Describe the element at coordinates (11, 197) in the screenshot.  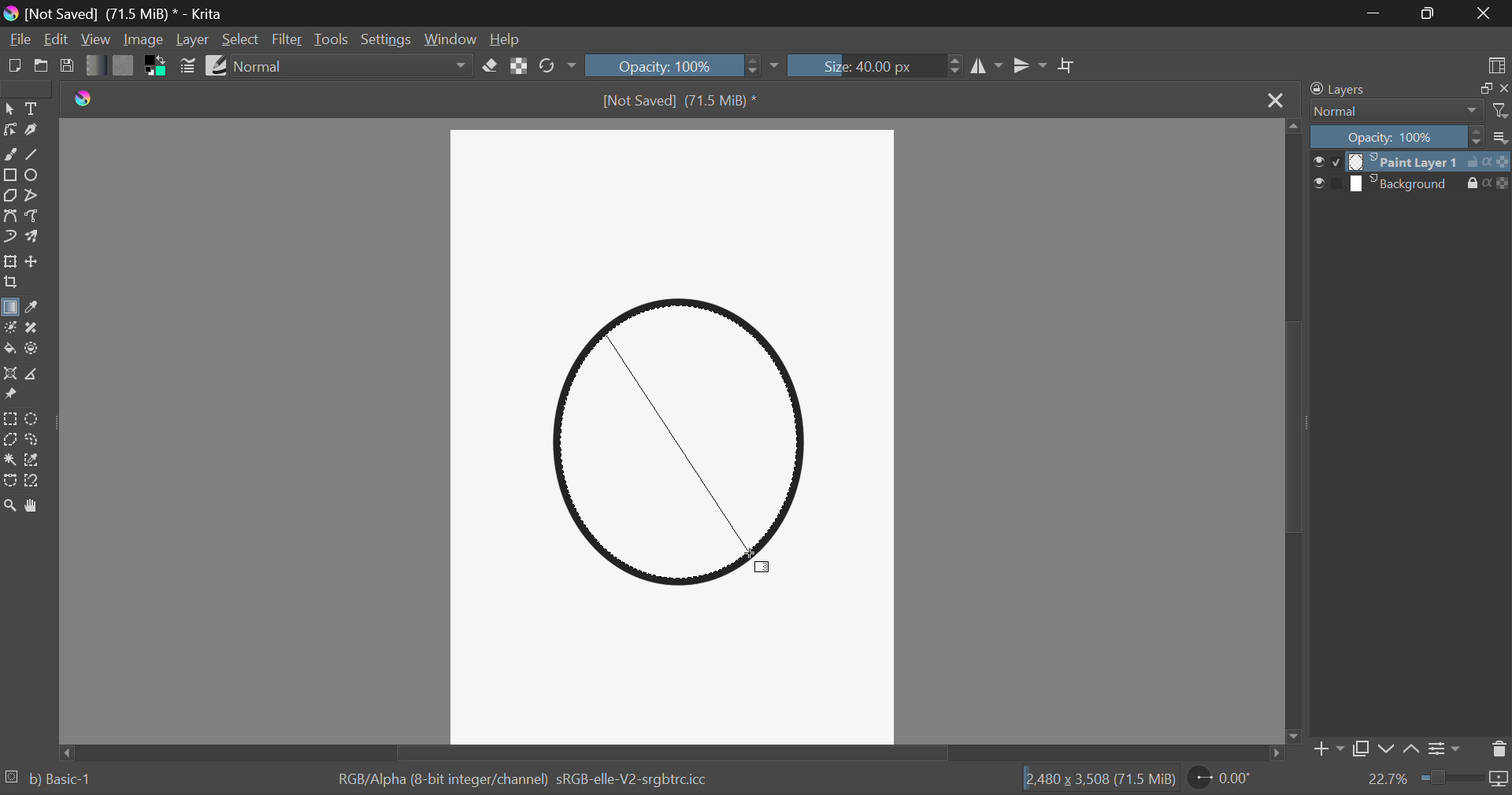
I see `Polygon` at that location.